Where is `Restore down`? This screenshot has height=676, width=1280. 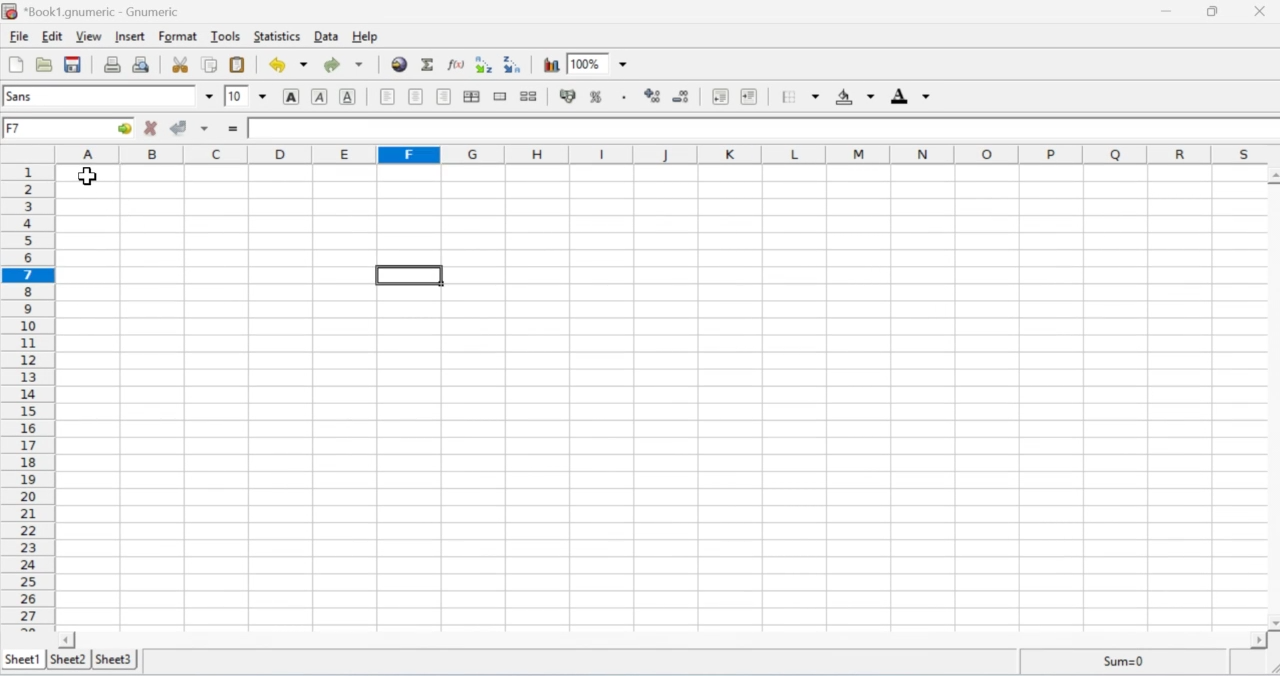
Restore down is located at coordinates (1214, 12).